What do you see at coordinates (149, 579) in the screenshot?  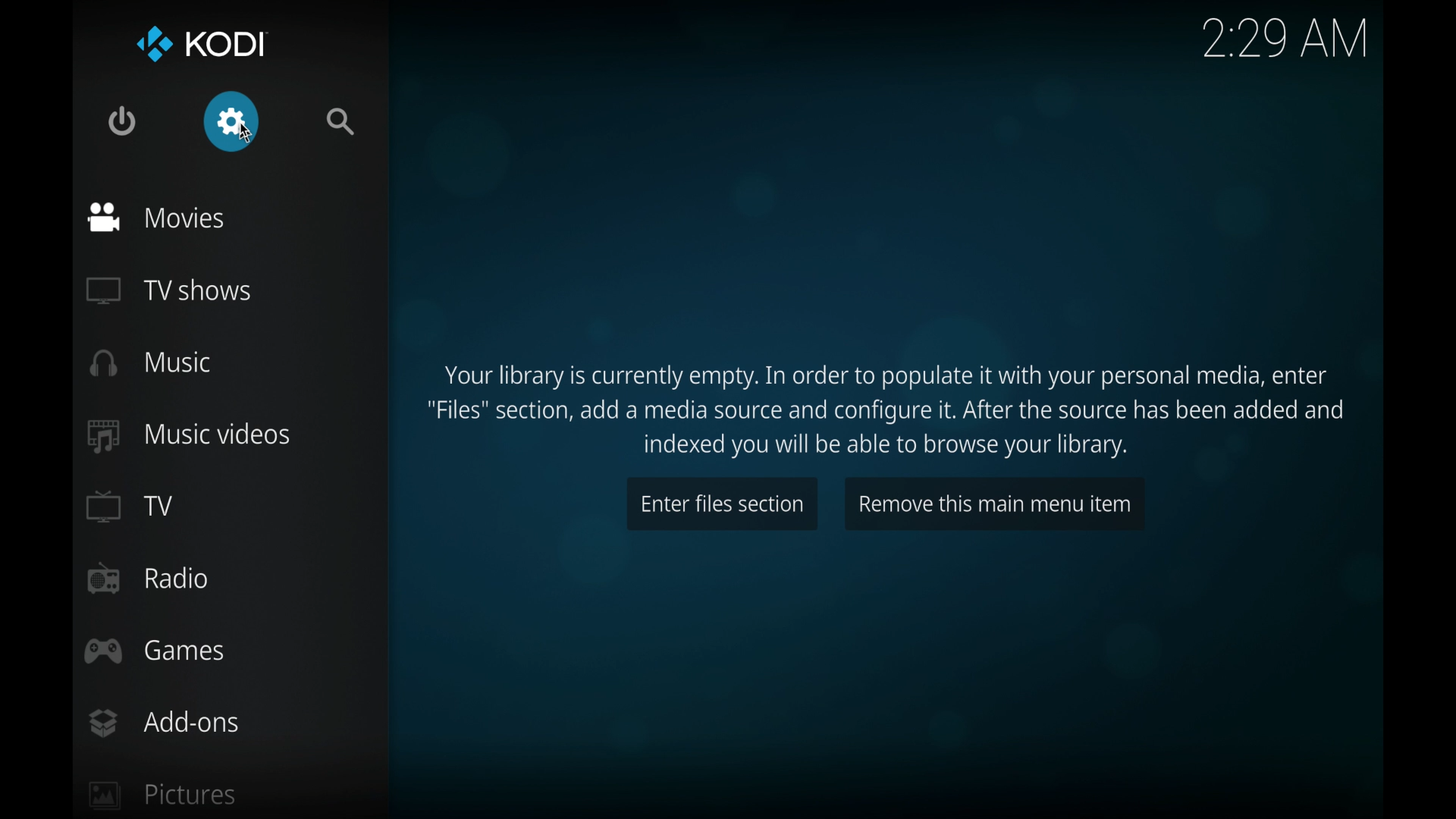 I see `radio` at bounding box center [149, 579].